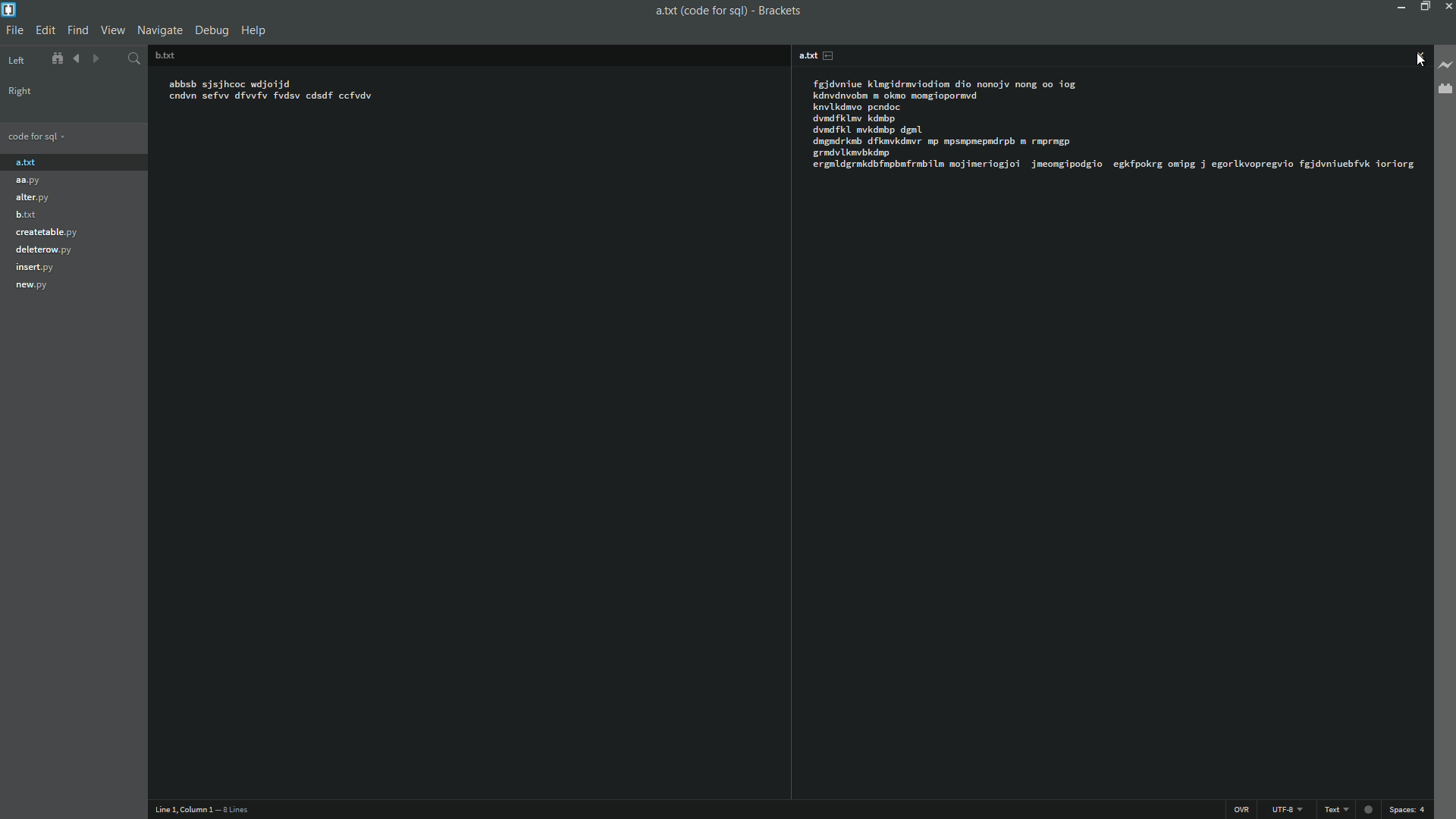 This screenshot has height=819, width=1456. I want to click on view , so click(111, 31).